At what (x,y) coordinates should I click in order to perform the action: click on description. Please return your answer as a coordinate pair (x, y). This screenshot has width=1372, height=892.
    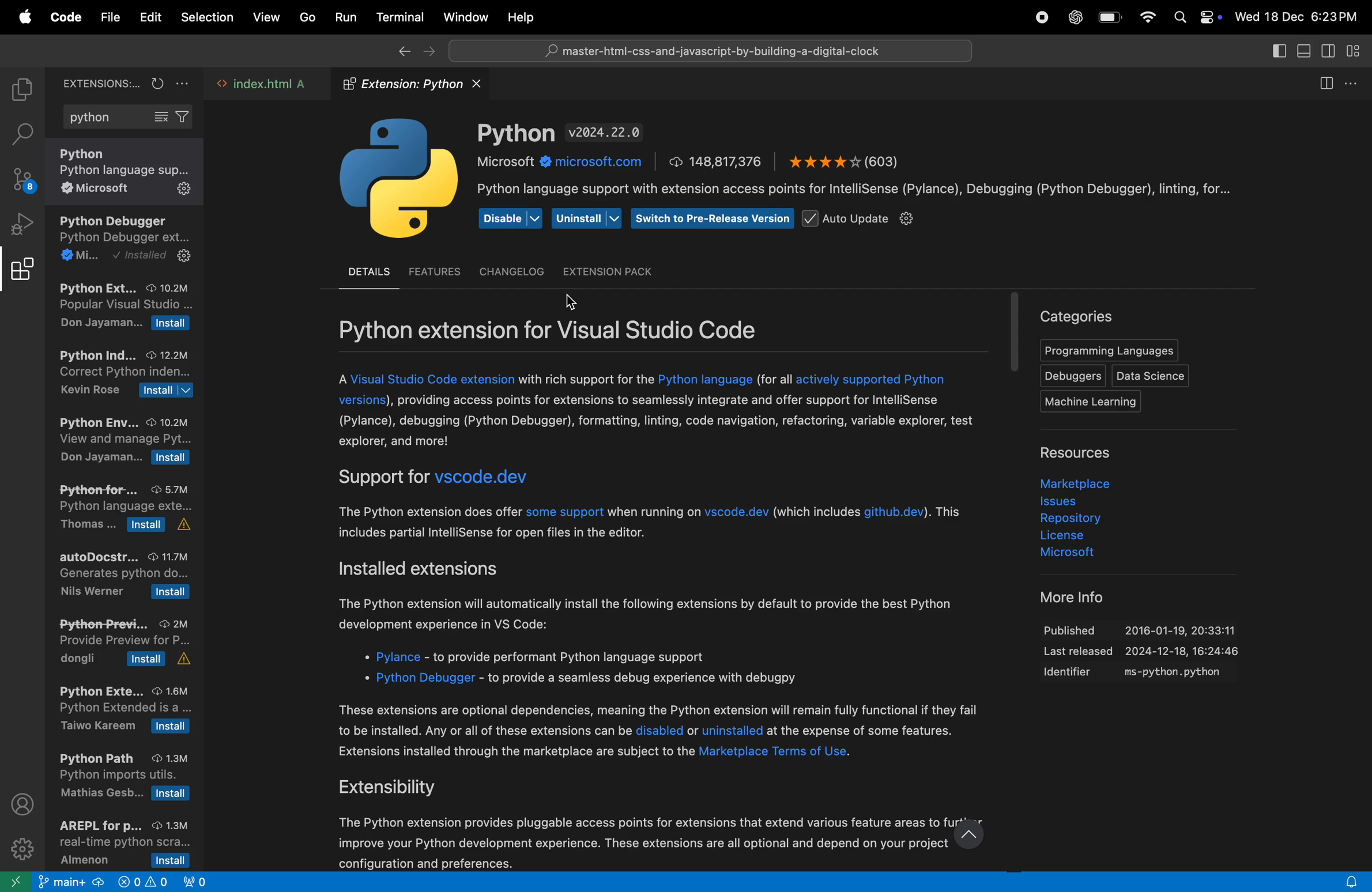
    Looking at the image, I should click on (863, 190).